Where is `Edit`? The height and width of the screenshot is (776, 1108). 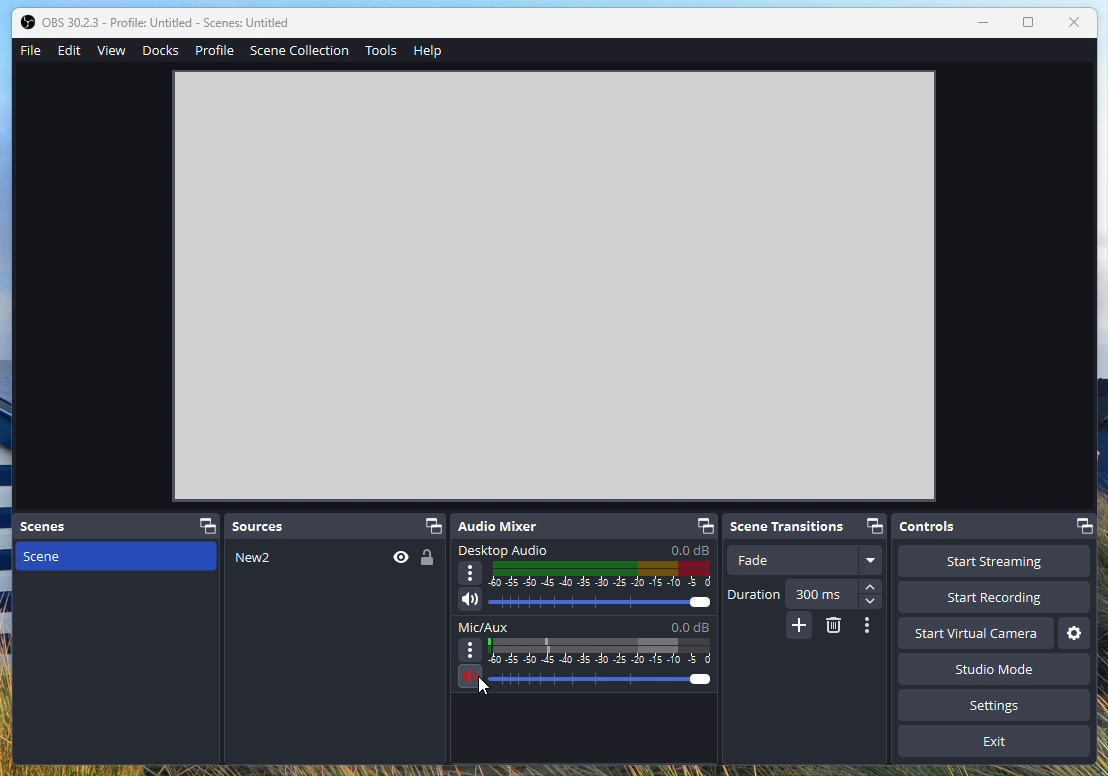
Edit is located at coordinates (71, 51).